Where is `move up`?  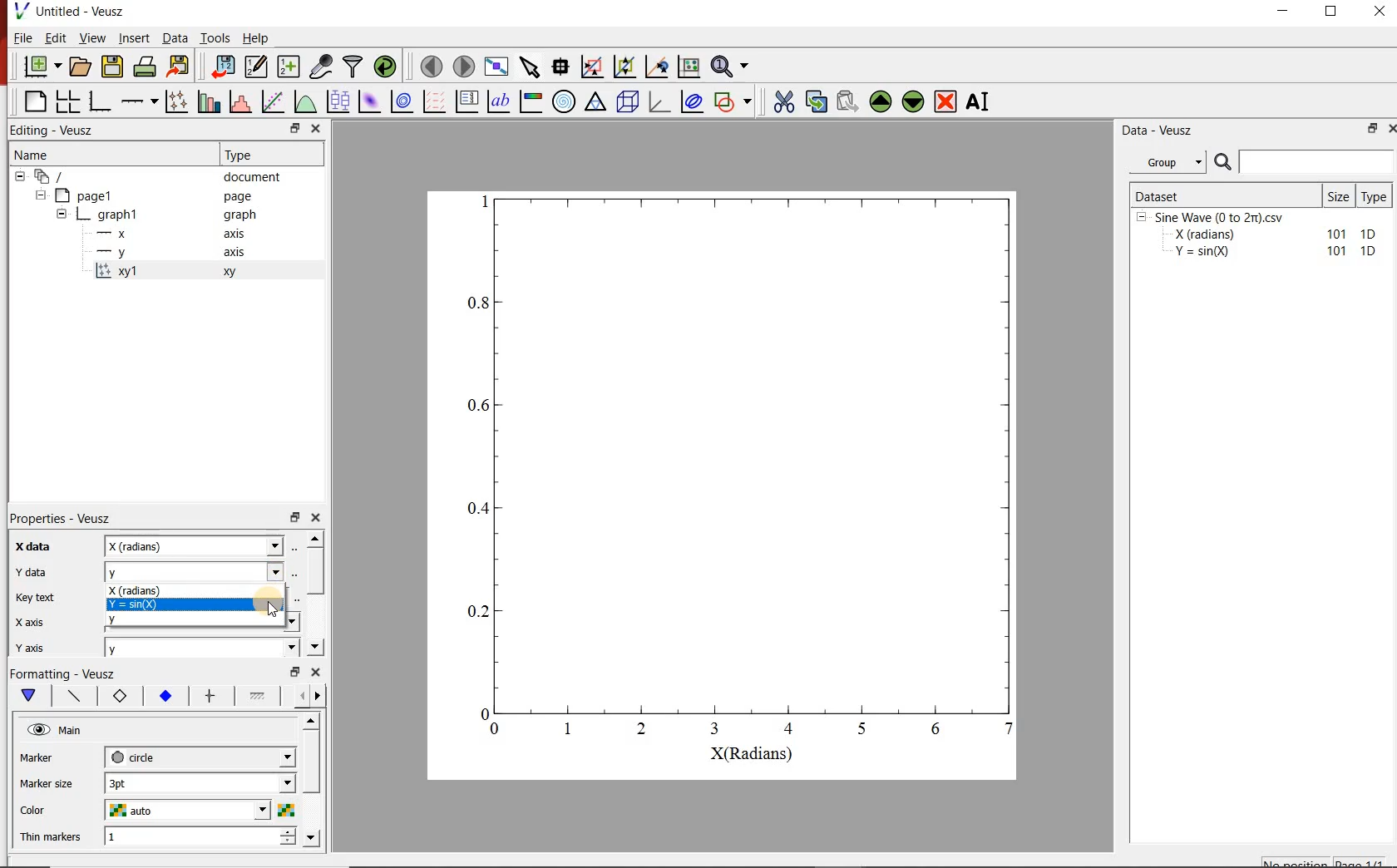 move up is located at coordinates (881, 101).